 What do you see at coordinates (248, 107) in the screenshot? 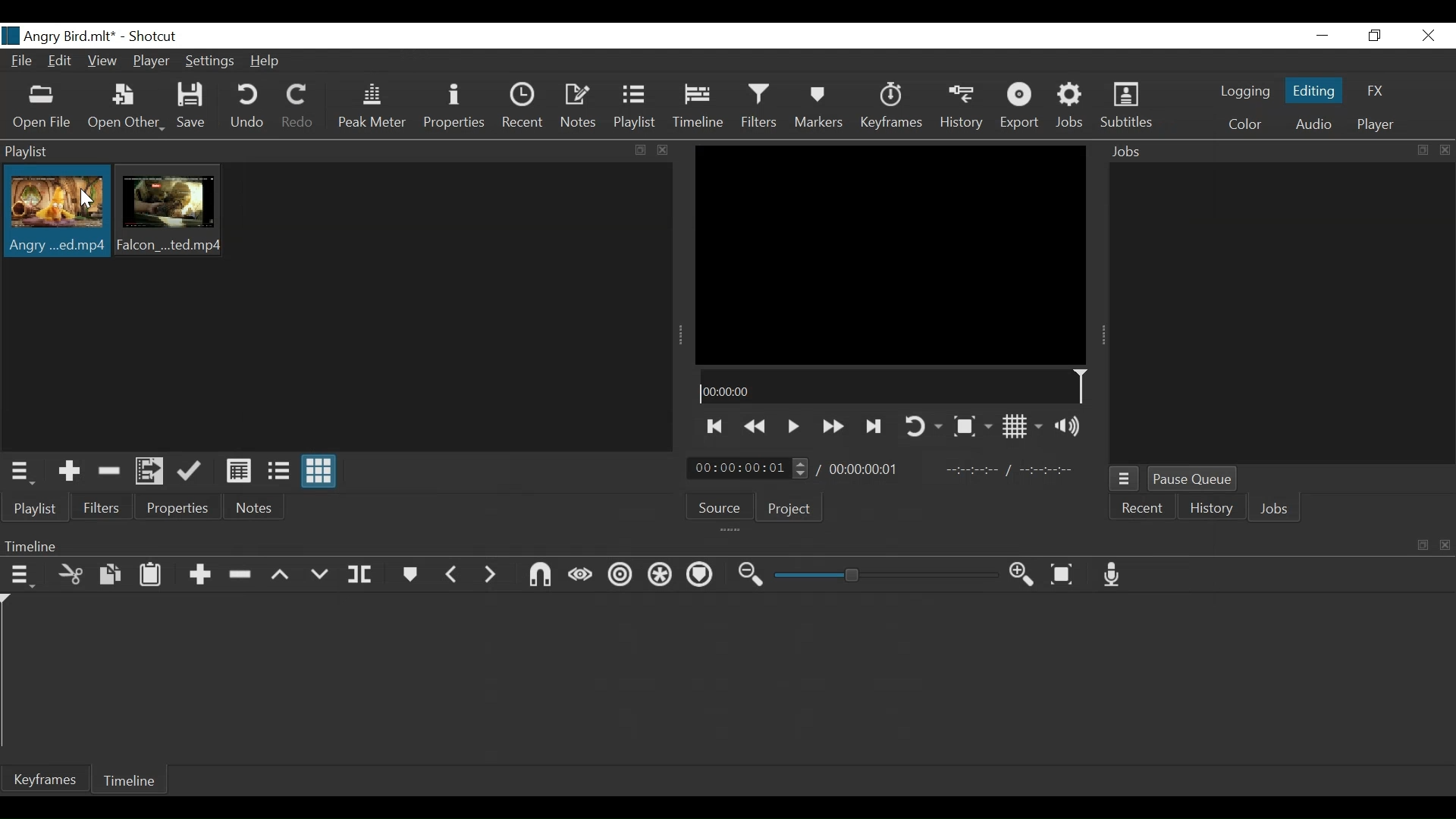
I see `Undo` at bounding box center [248, 107].